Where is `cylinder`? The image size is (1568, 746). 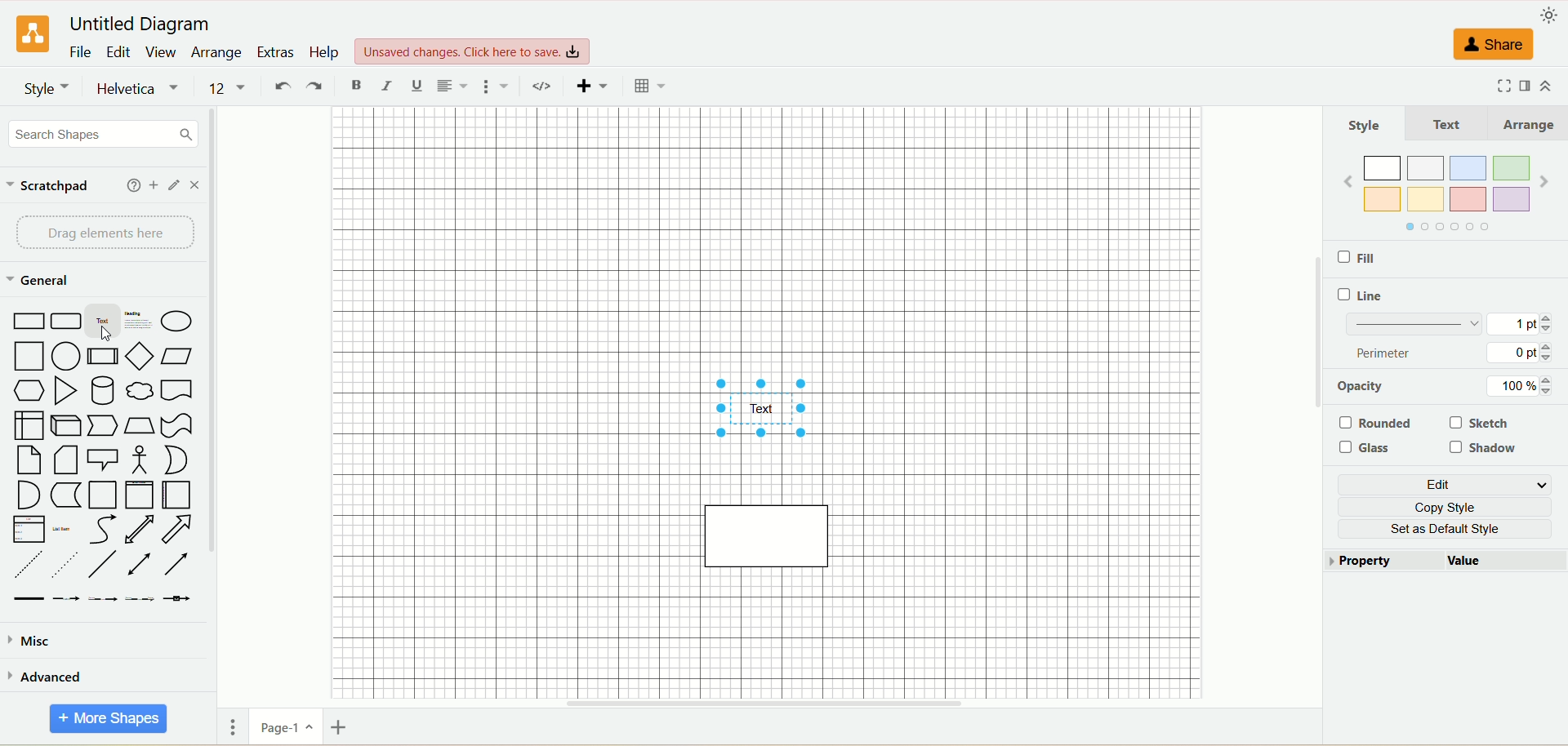 cylinder is located at coordinates (101, 389).